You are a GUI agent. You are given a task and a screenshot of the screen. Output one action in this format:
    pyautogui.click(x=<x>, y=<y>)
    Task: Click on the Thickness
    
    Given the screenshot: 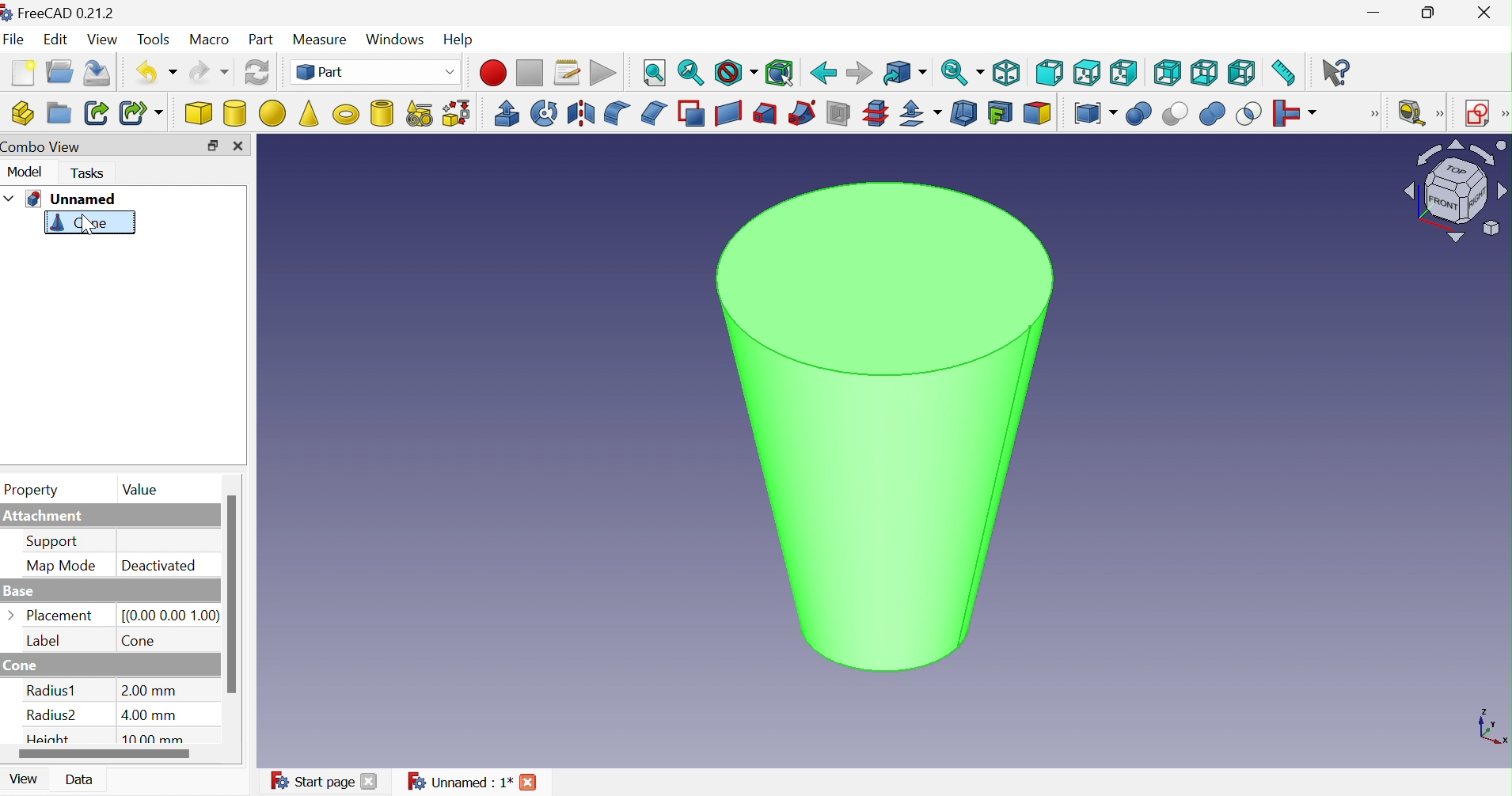 What is the action you would take?
    pyautogui.click(x=963, y=114)
    